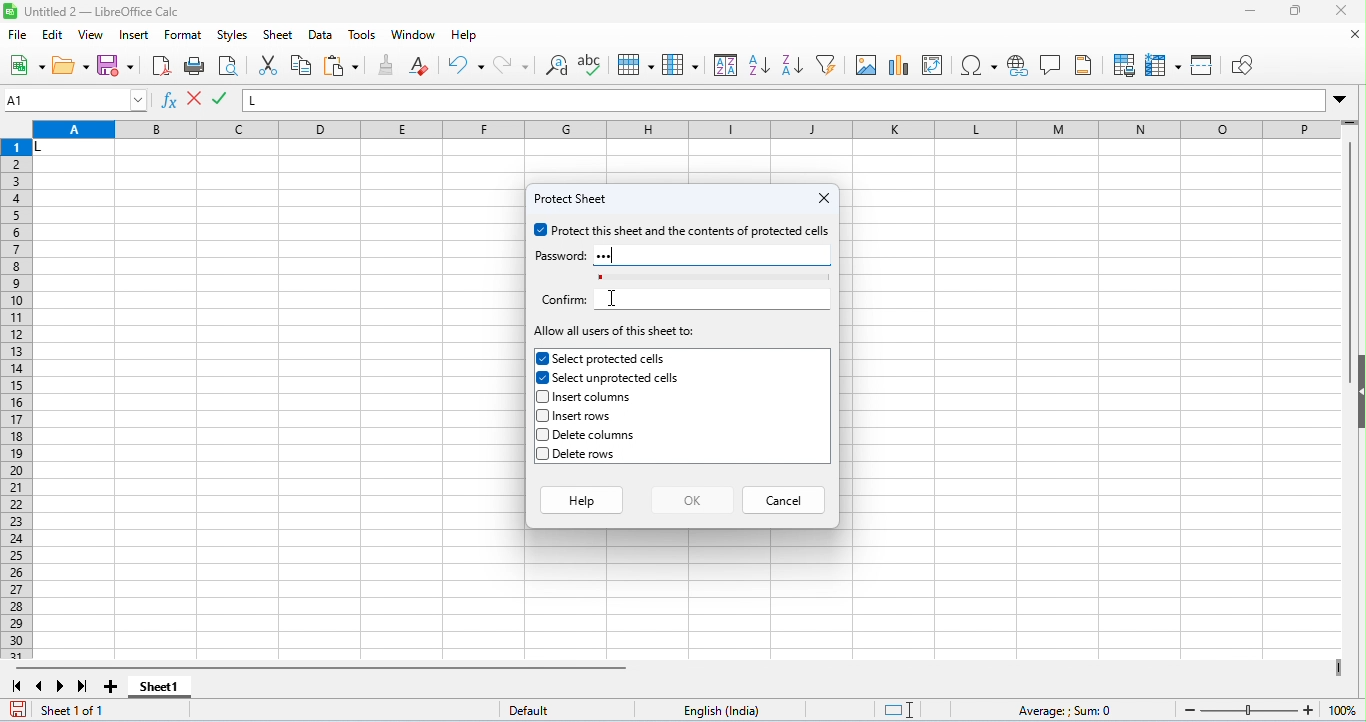 This screenshot has width=1366, height=722. I want to click on insert columns, so click(590, 398).